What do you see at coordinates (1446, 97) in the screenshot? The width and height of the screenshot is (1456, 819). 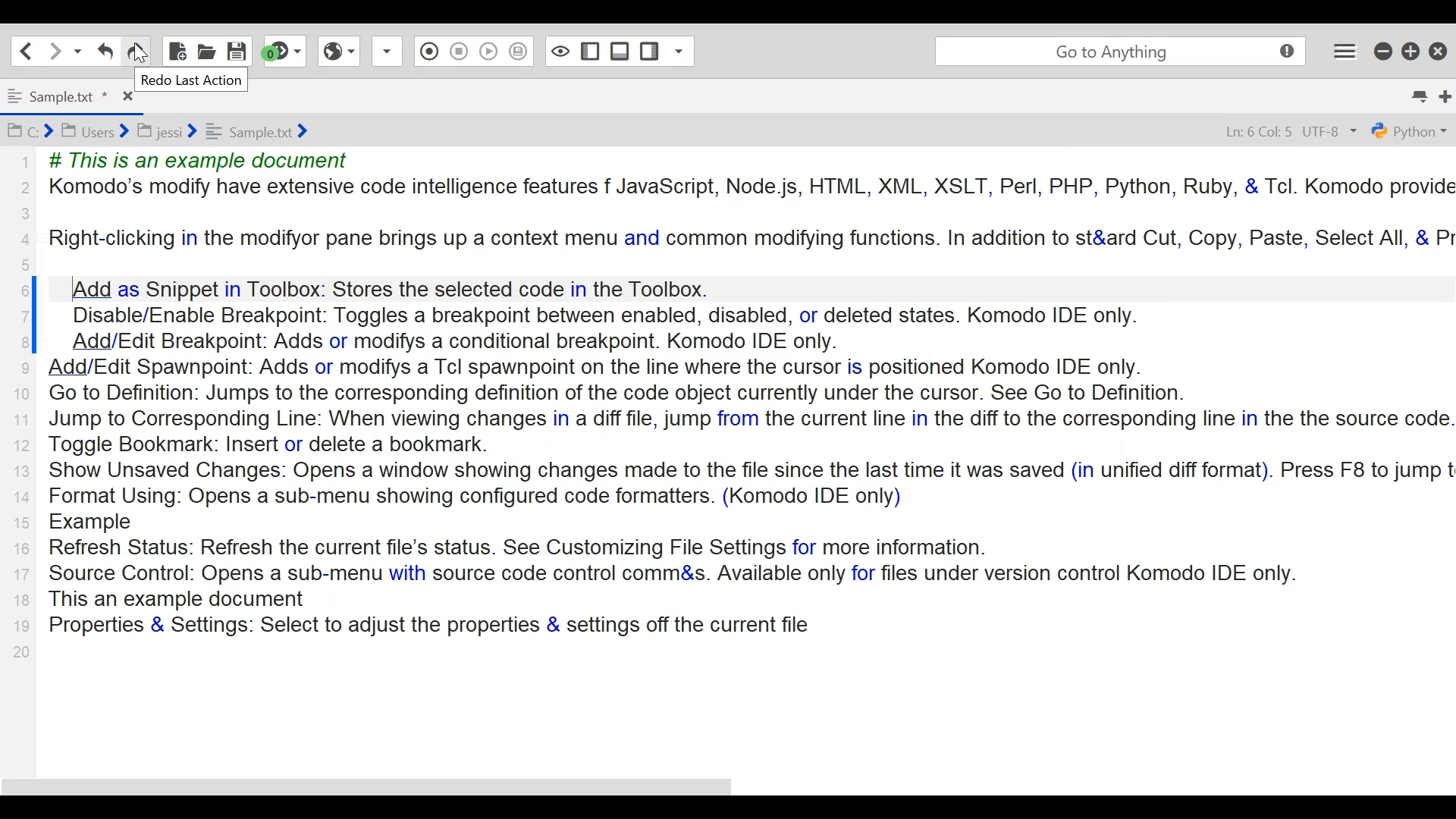 I see `New Tab` at bounding box center [1446, 97].